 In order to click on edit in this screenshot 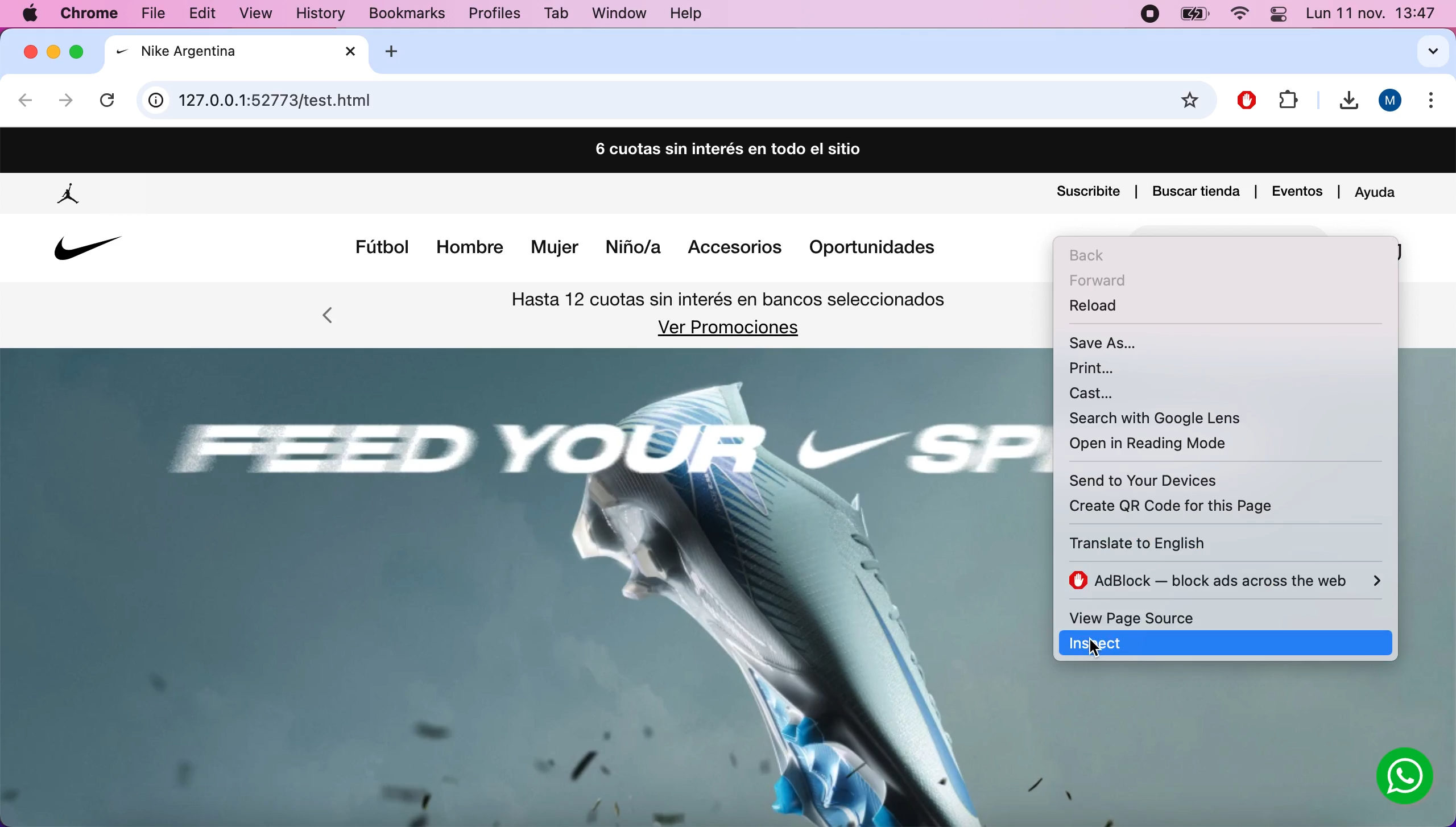, I will do `click(208, 13)`.